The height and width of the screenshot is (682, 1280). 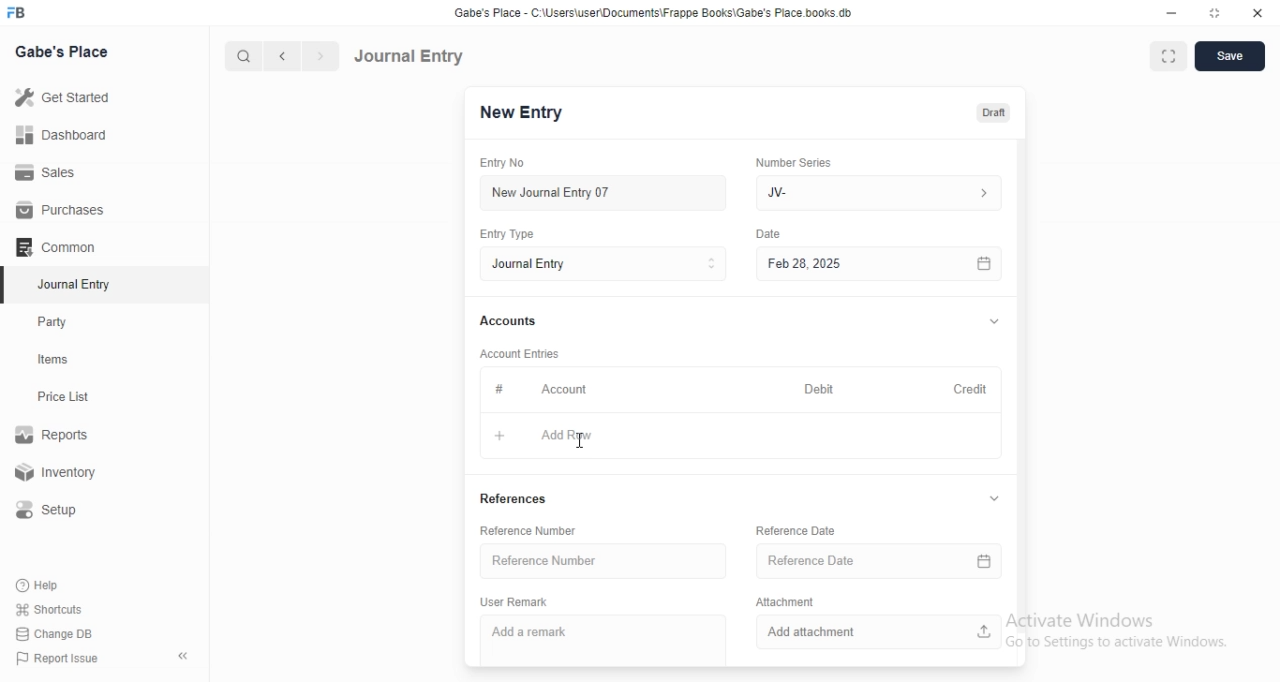 I want to click on Draft, so click(x=993, y=113).